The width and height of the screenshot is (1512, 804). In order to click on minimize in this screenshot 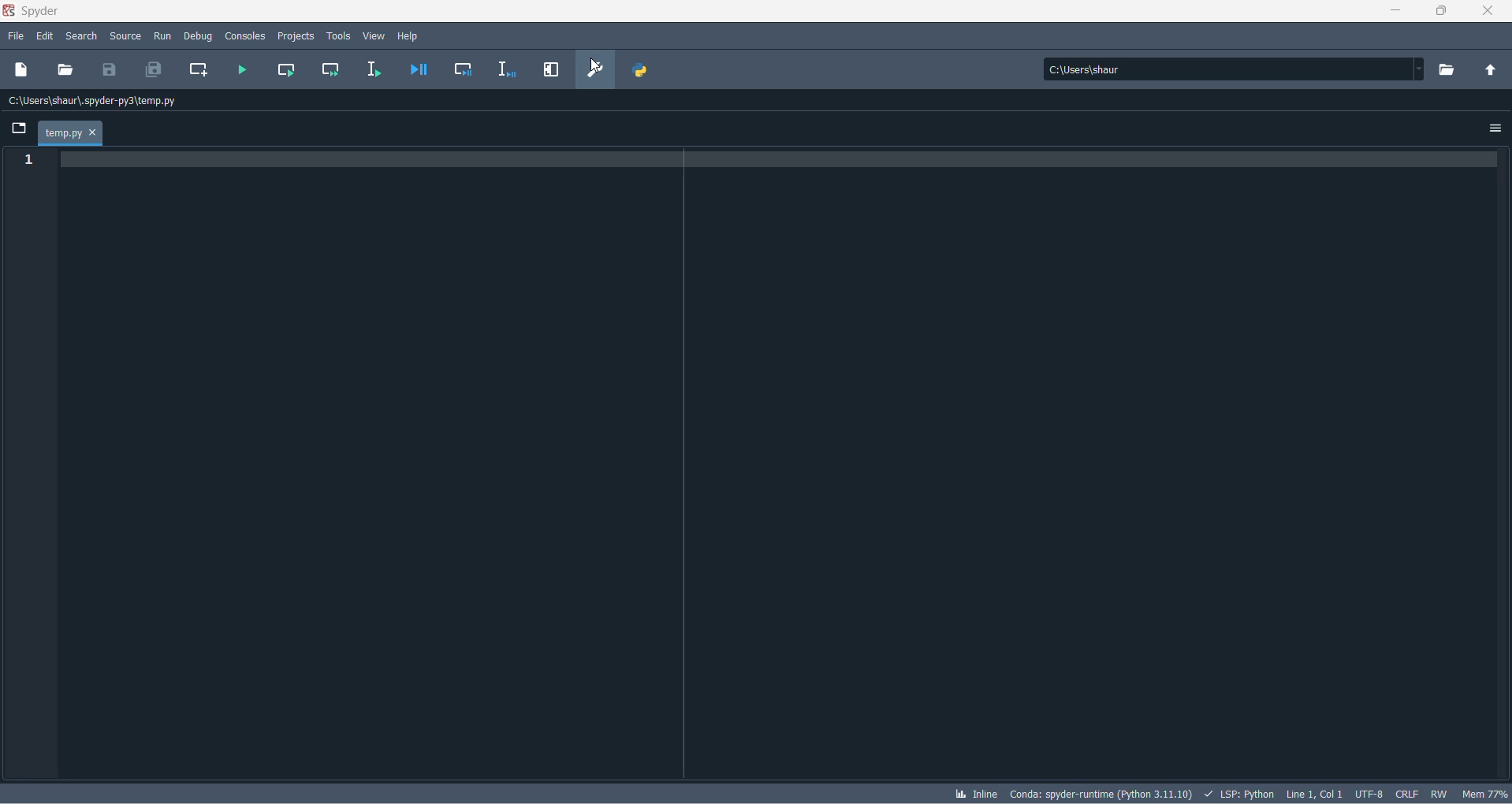, I will do `click(1399, 13)`.